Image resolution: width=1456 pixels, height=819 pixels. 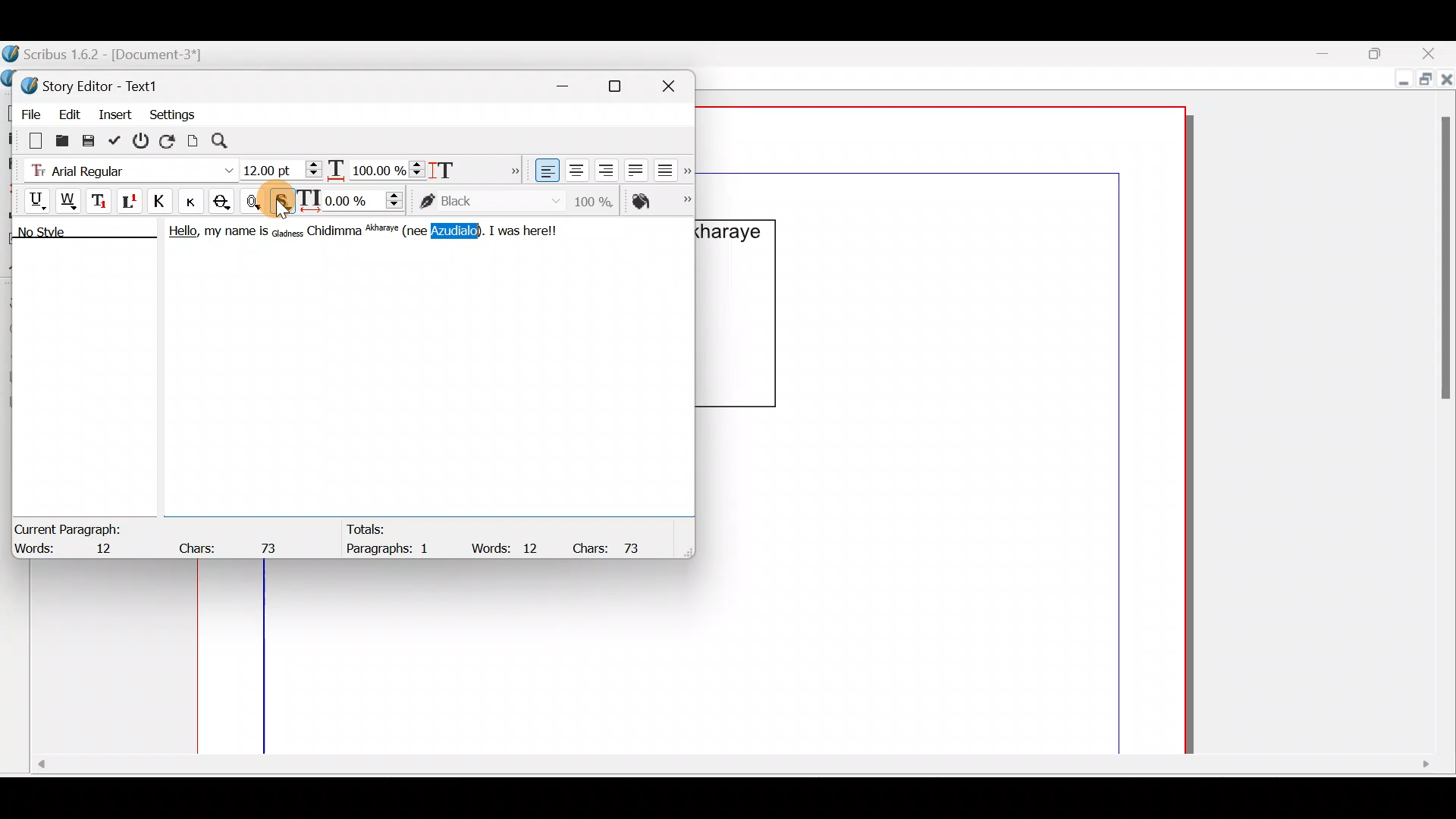 I want to click on Chars: 73, so click(x=613, y=547).